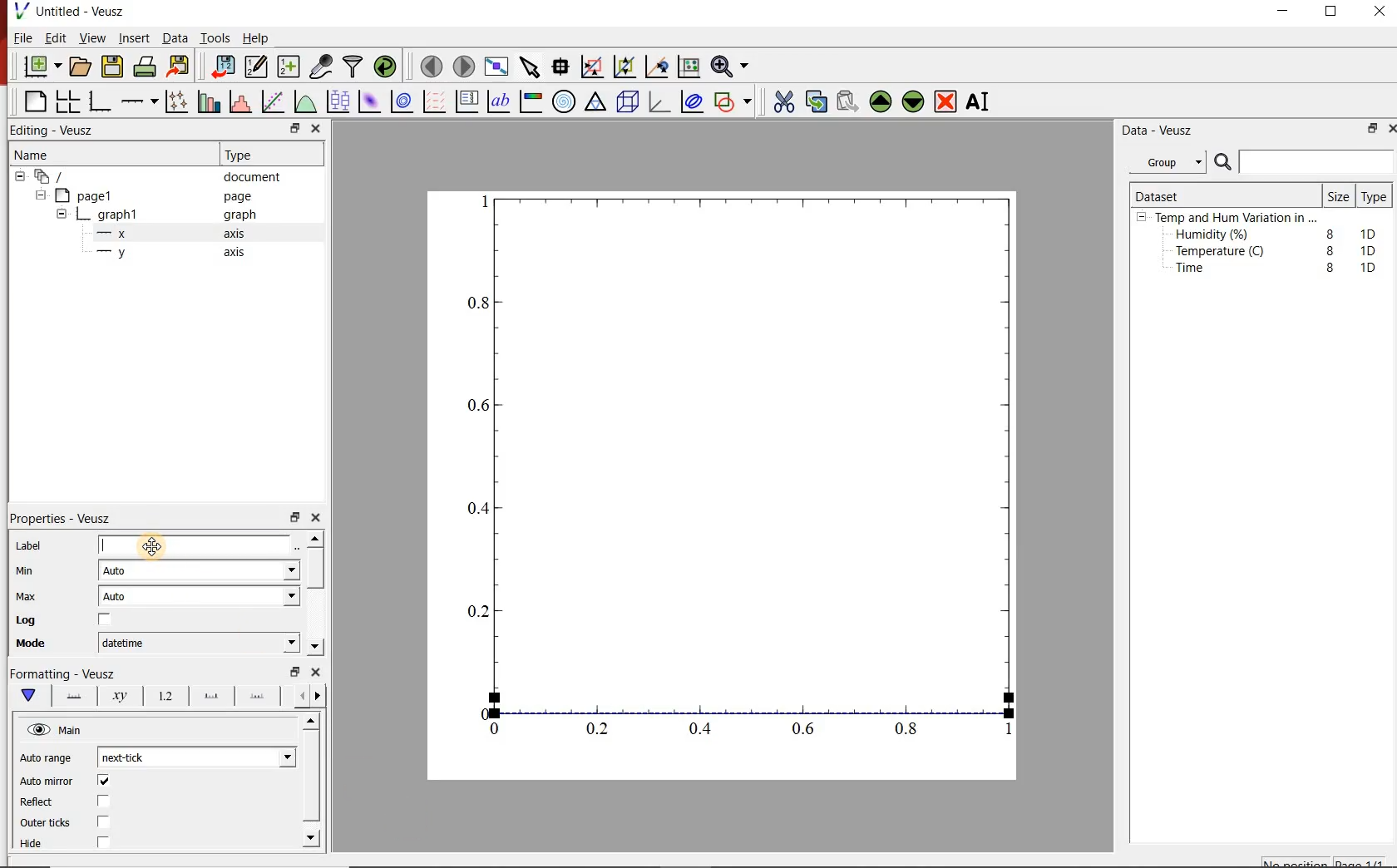  I want to click on hide sub menu, so click(1142, 219).